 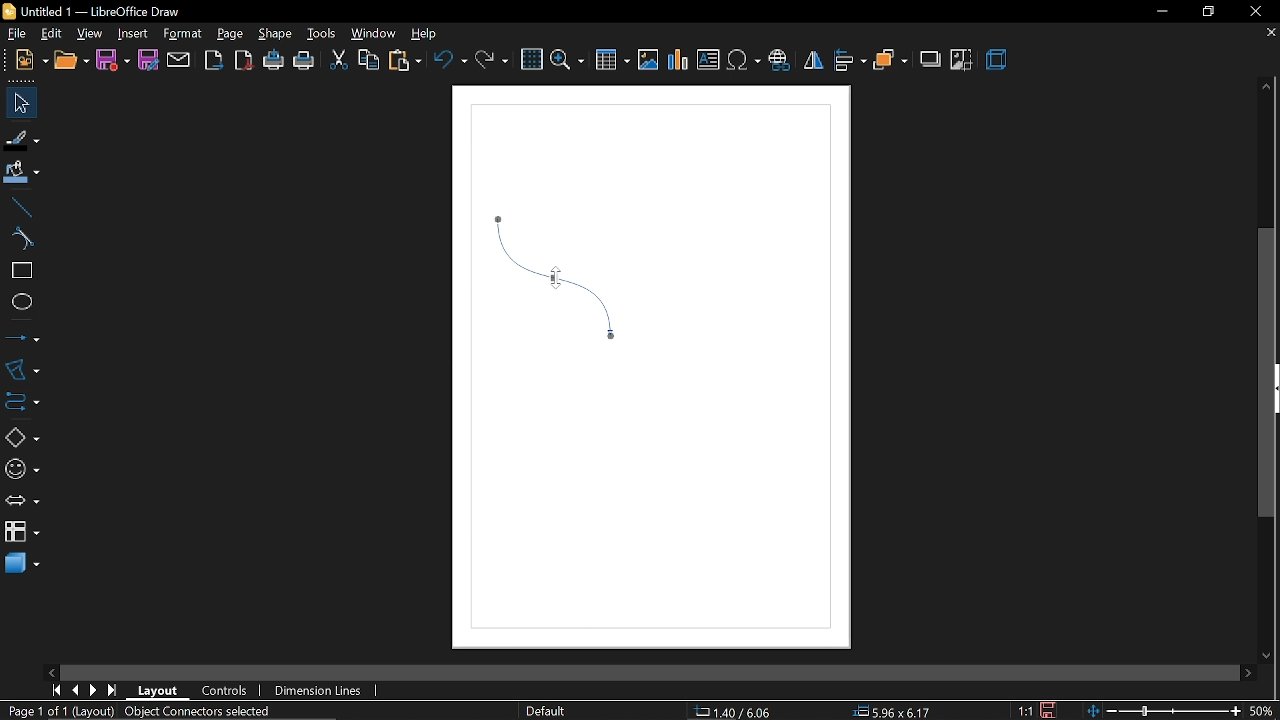 I want to click on basic shapes, so click(x=18, y=434).